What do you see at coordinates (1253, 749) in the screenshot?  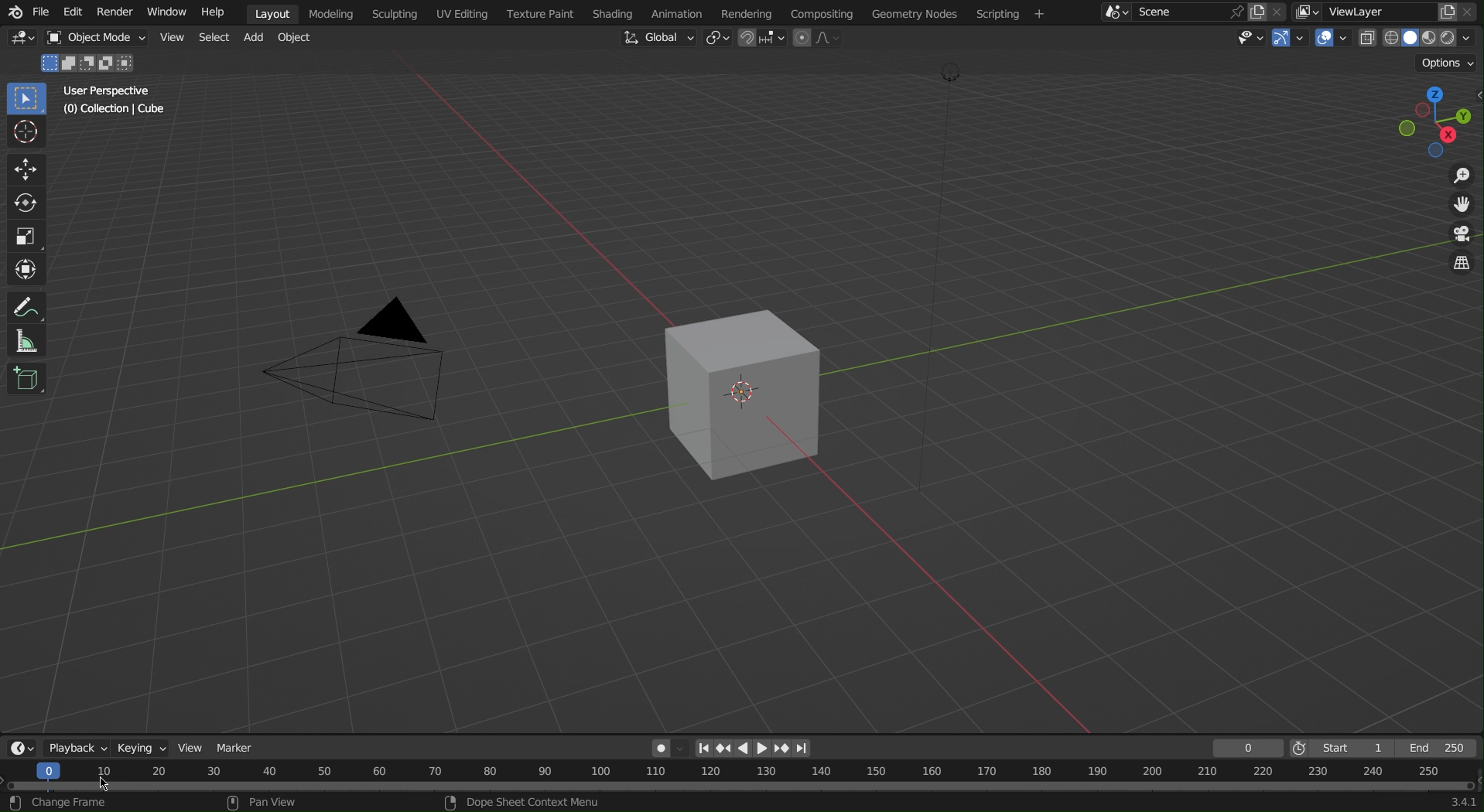 I see `Frame` at bounding box center [1253, 749].